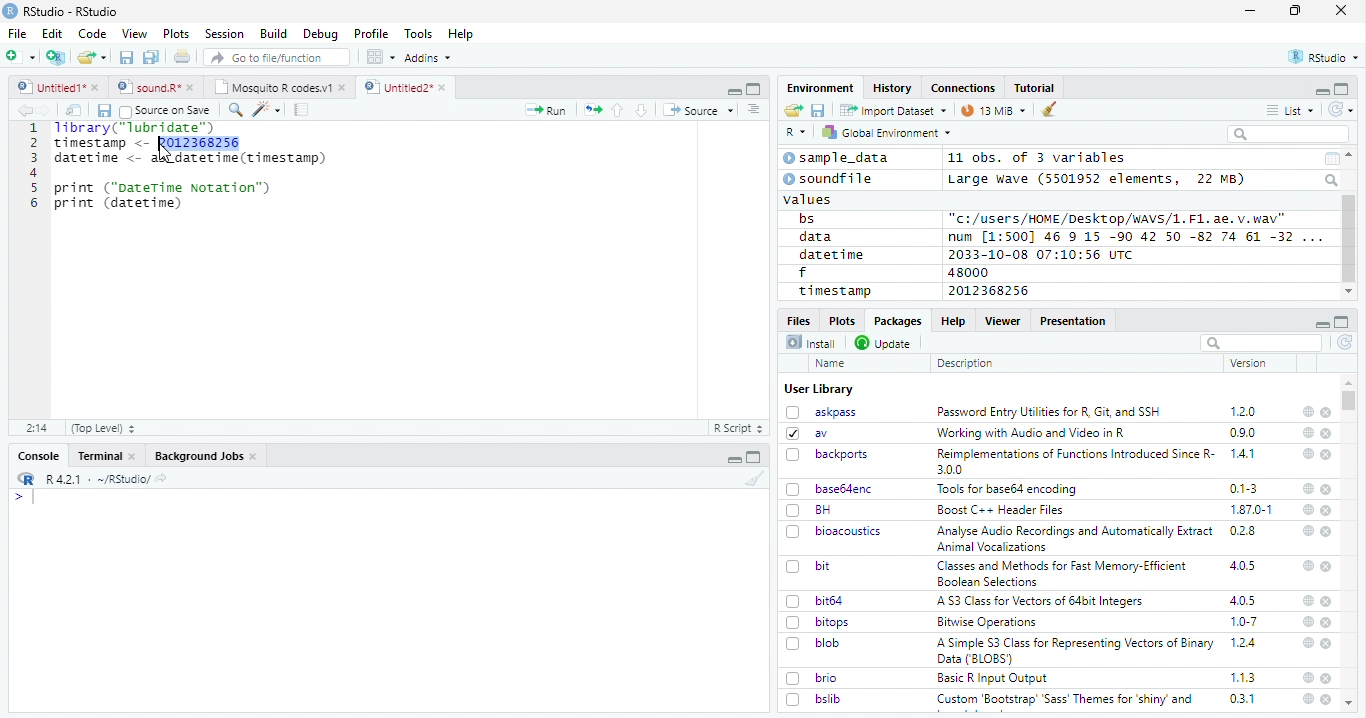  What do you see at coordinates (1245, 411) in the screenshot?
I see `1.2.0` at bounding box center [1245, 411].